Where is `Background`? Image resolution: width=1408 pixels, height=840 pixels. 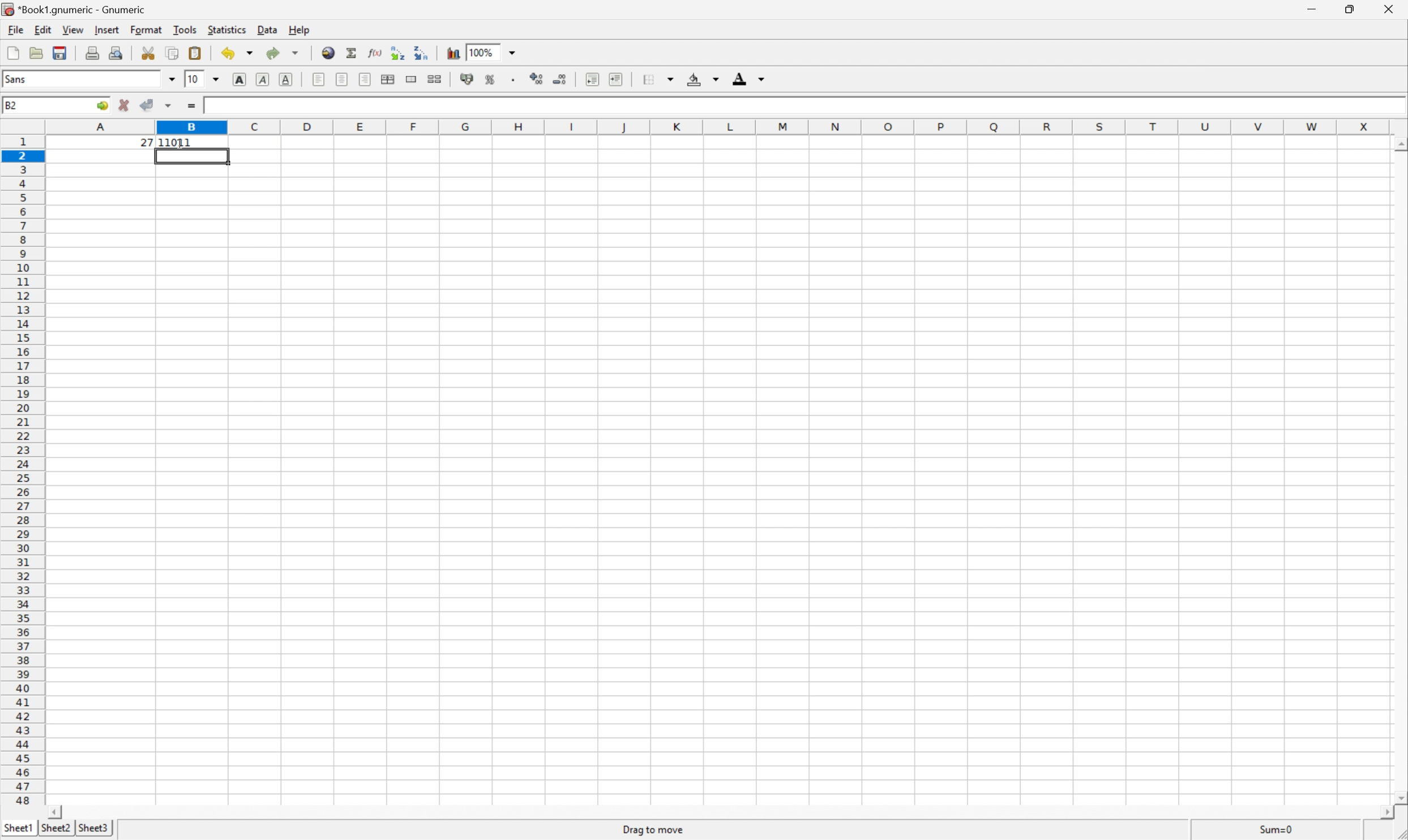
Background is located at coordinates (703, 79).